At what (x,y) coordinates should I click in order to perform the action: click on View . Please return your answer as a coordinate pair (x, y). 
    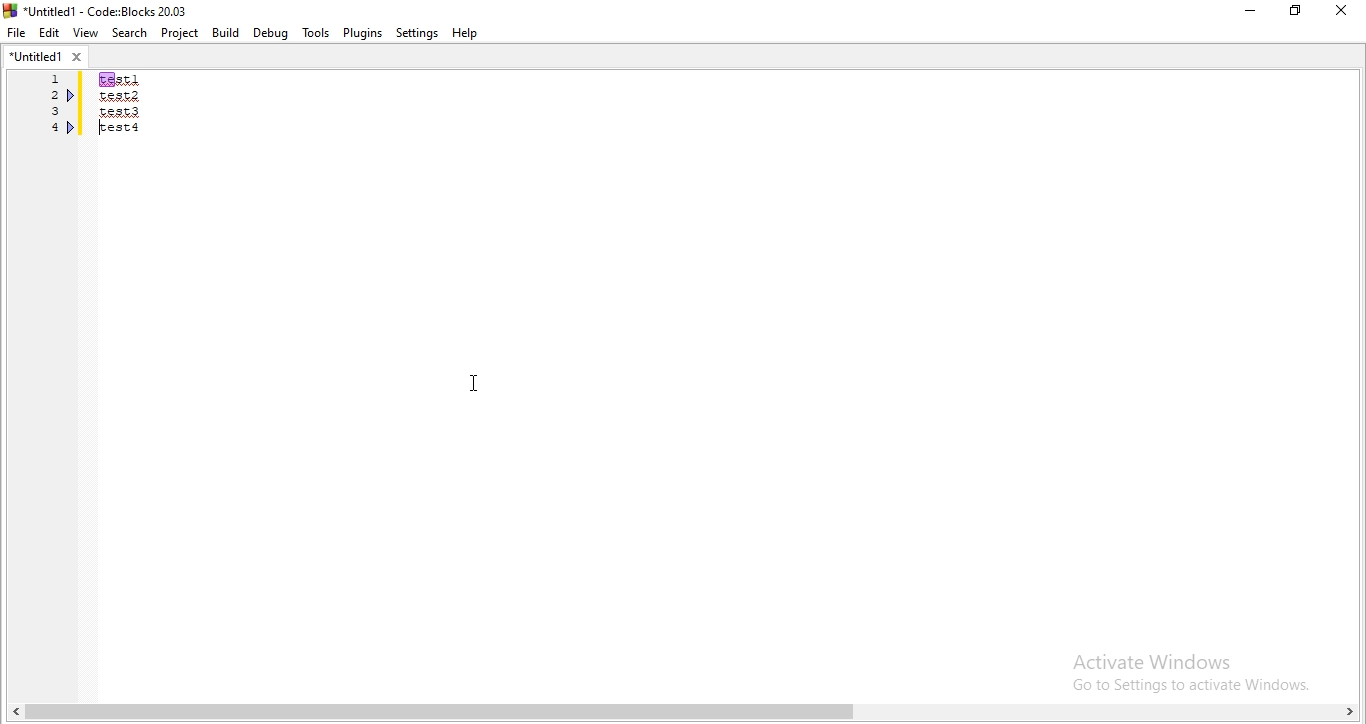
    Looking at the image, I should click on (85, 30).